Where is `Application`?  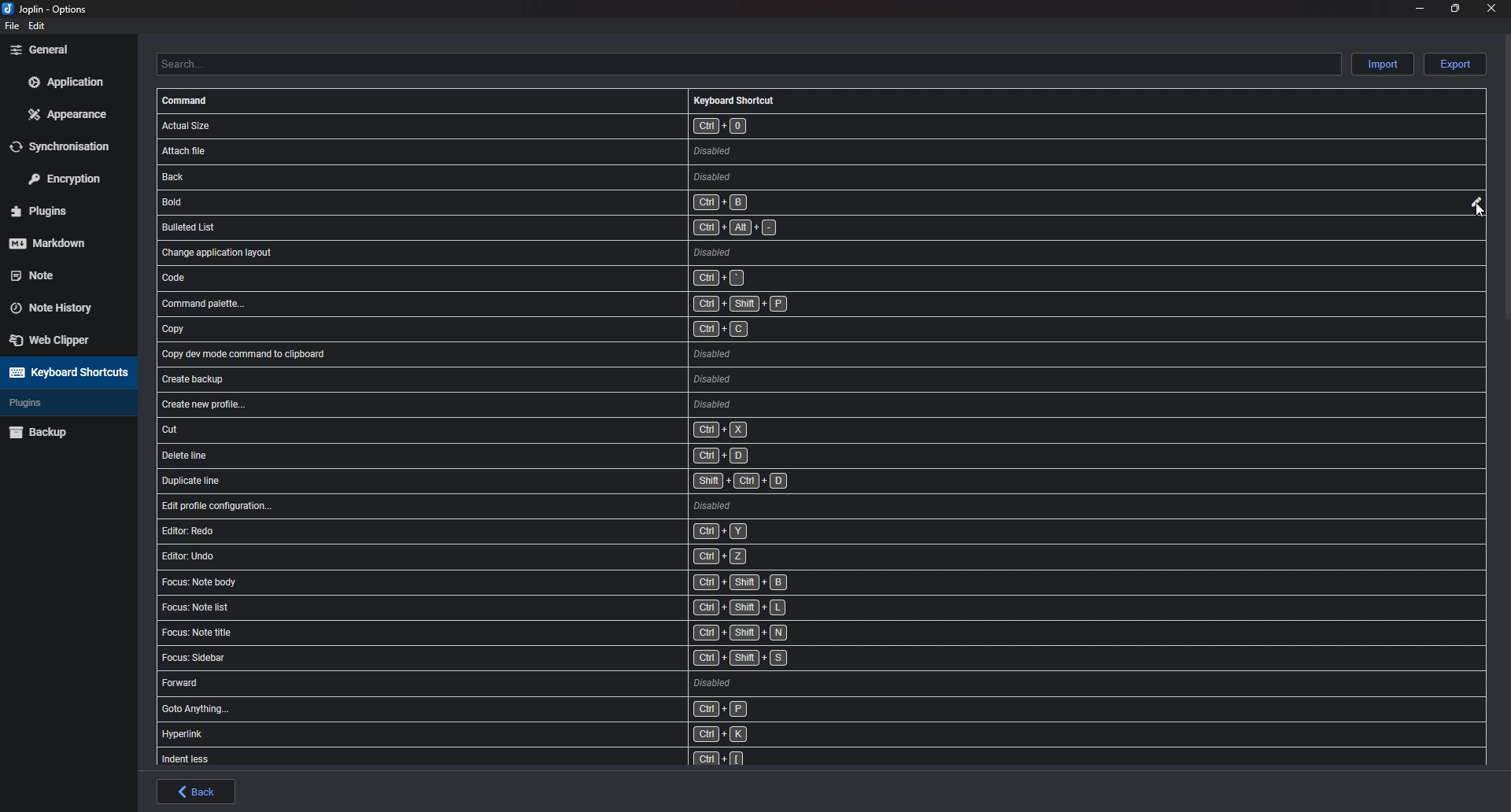 Application is located at coordinates (65, 82).